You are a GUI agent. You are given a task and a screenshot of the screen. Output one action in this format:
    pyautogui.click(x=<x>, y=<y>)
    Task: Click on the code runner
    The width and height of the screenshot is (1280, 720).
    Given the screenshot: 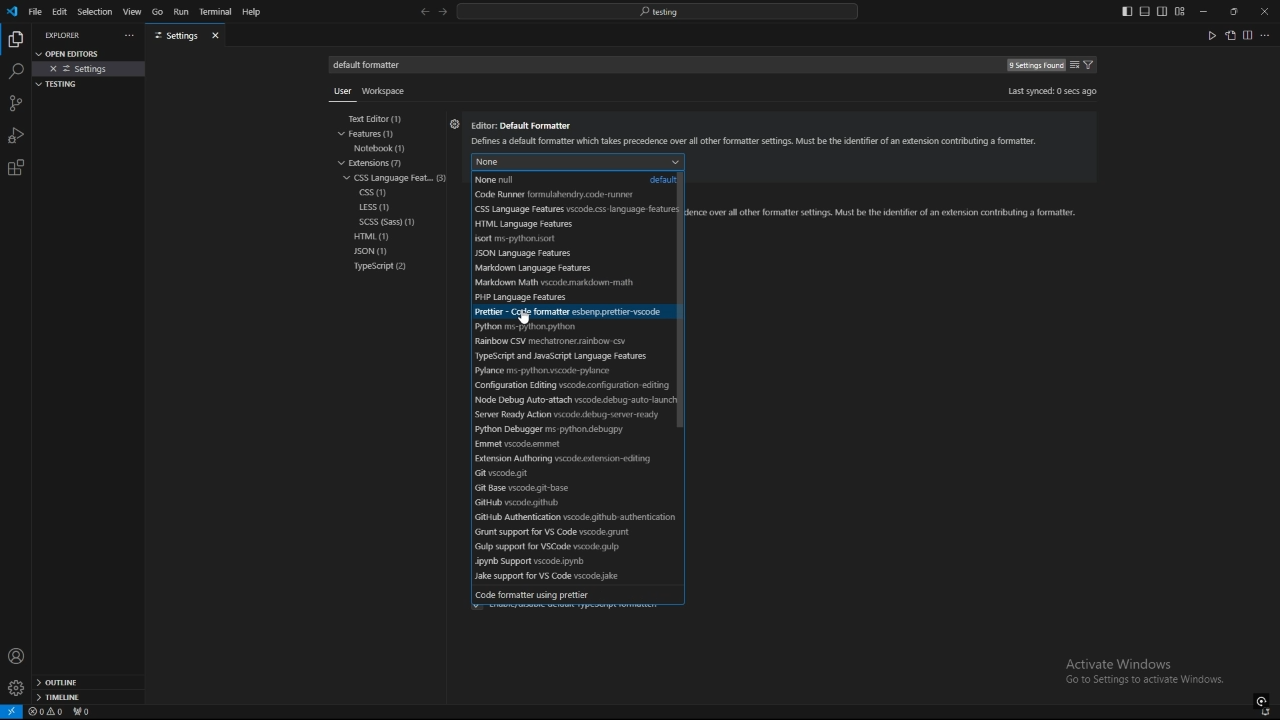 What is the action you would take?
    pyautogui.click(x=565, y=196)
    